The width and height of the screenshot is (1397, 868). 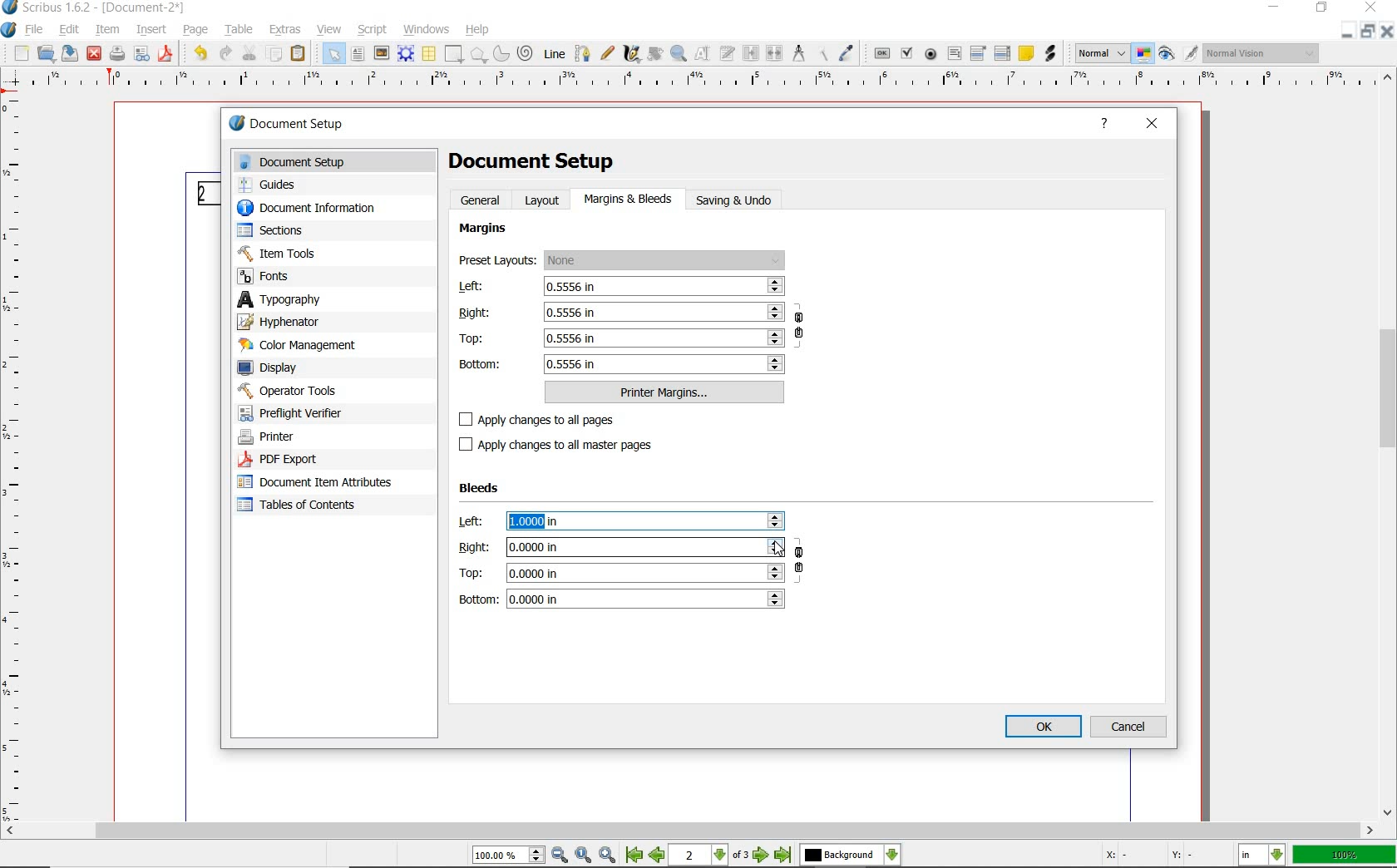 What do you see at coordinates (1389, 34) in the screenshot?
I see `Close` at bounding box center [1389, 34].